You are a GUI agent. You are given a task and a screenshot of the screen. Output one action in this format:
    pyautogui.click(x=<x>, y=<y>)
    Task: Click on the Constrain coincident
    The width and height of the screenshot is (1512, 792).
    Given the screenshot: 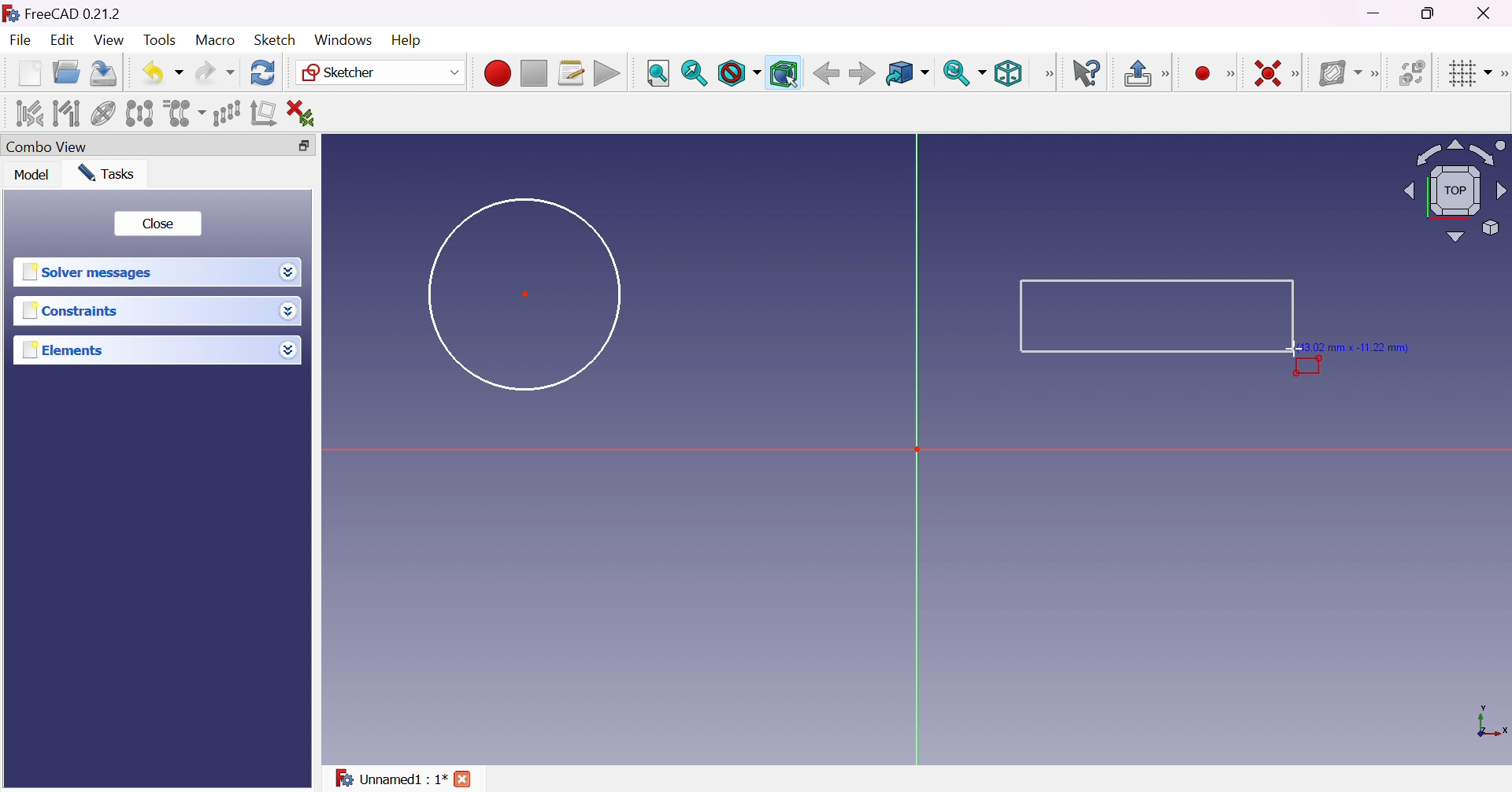 What is the action you would take?
    pyautogui.click(x=1266, y=73)
    